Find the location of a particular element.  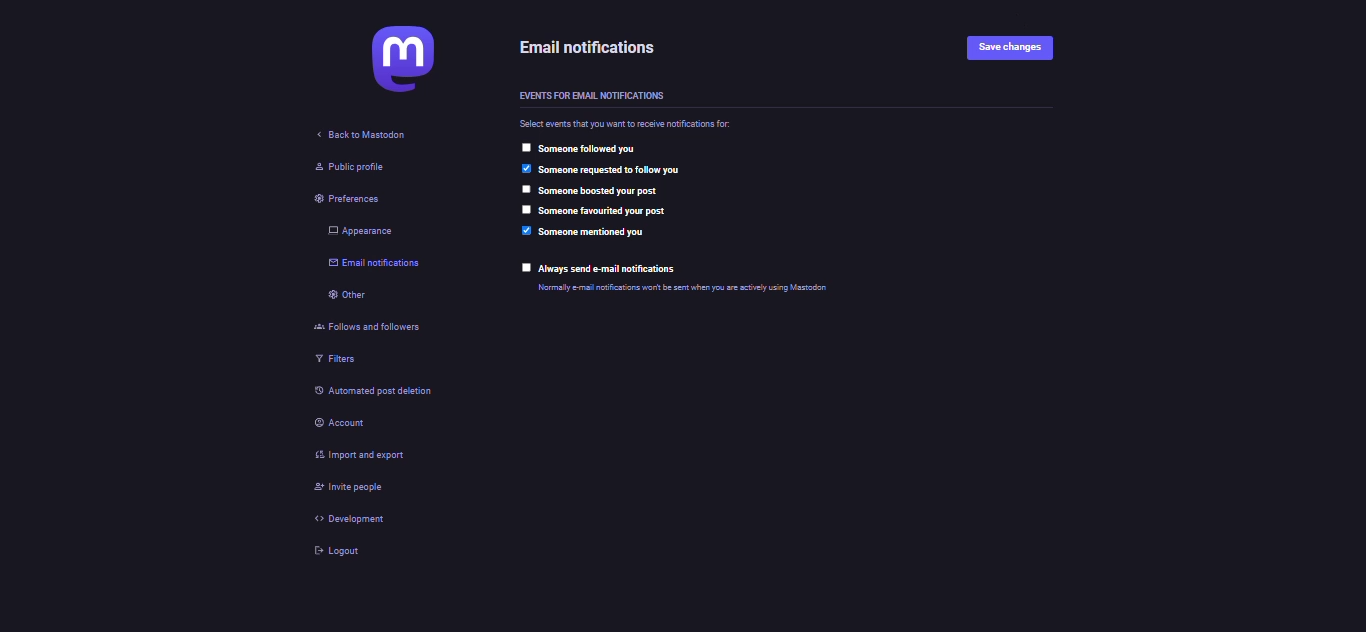

enabled is located at coordinates (527, 230).